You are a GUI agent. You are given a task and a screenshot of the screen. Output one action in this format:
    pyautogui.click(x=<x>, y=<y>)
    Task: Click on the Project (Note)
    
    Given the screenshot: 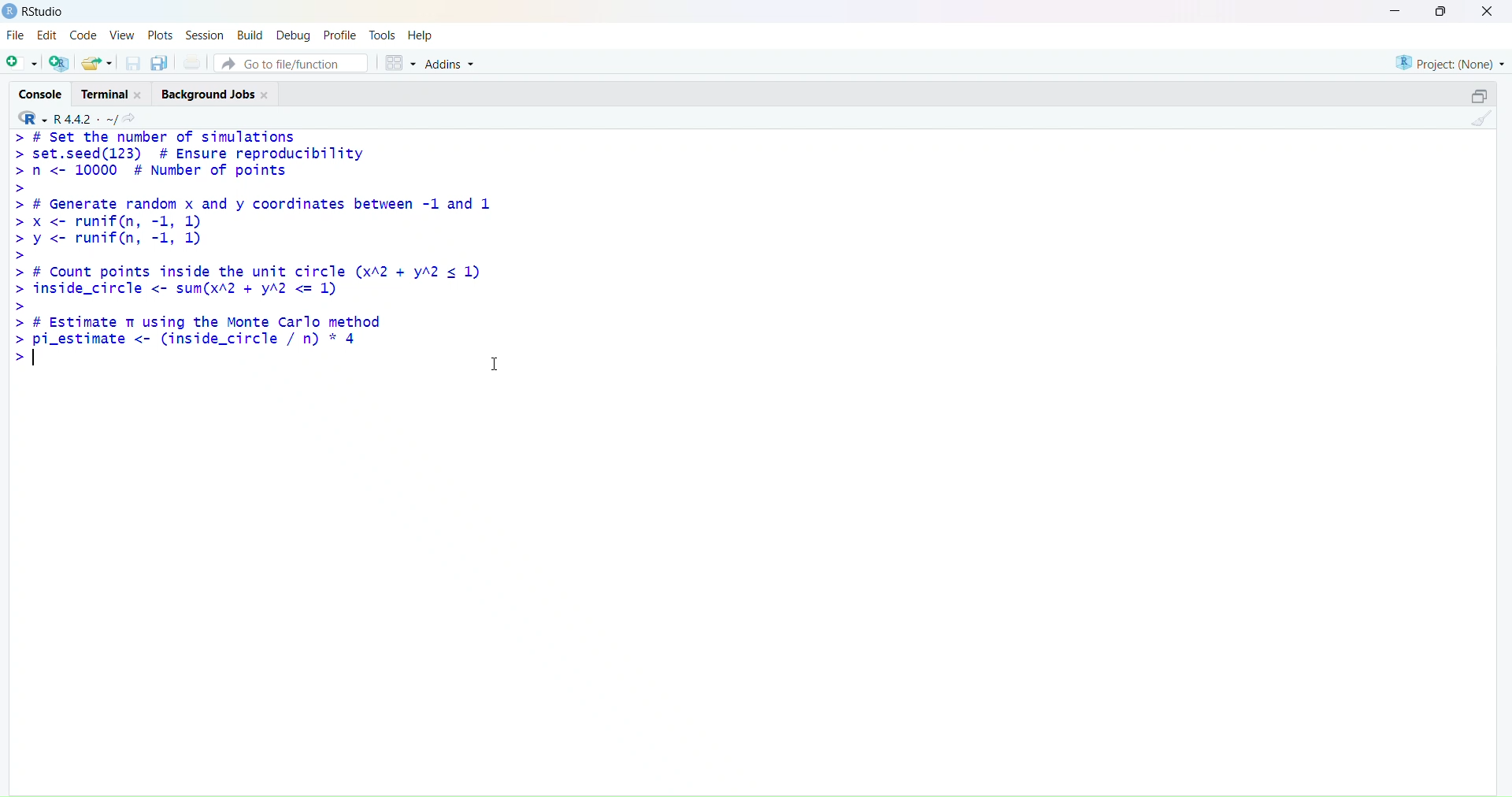 What is the action you would take?
    pyautogui.click(x=1444, y=63)
    